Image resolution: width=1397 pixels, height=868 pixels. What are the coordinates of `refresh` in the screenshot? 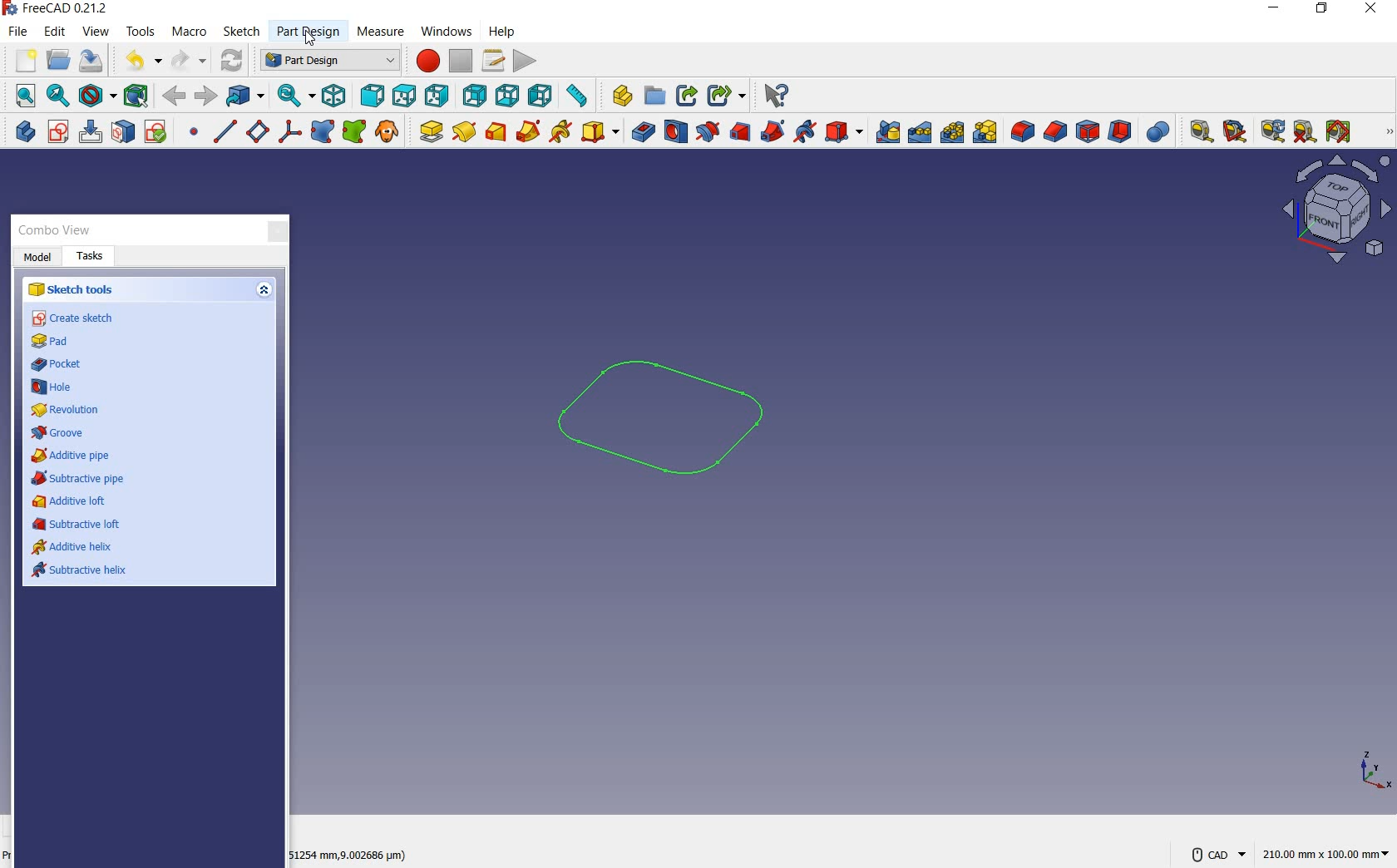 It's located at (1273, 131).